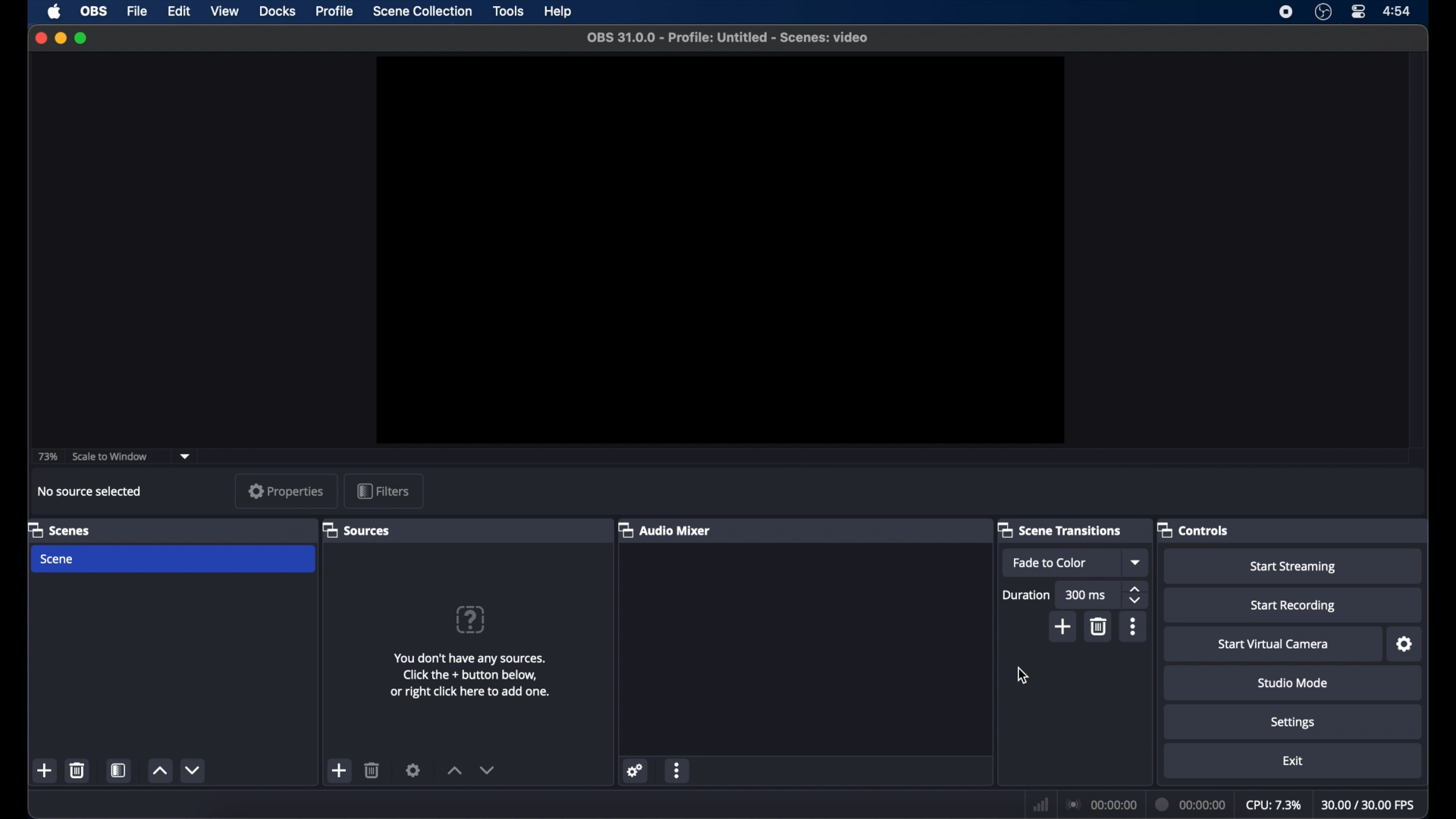 The image size is (1456, 819). Describe the element at coordinates (93, 11) in the screenshot. I see `obs` at that location.